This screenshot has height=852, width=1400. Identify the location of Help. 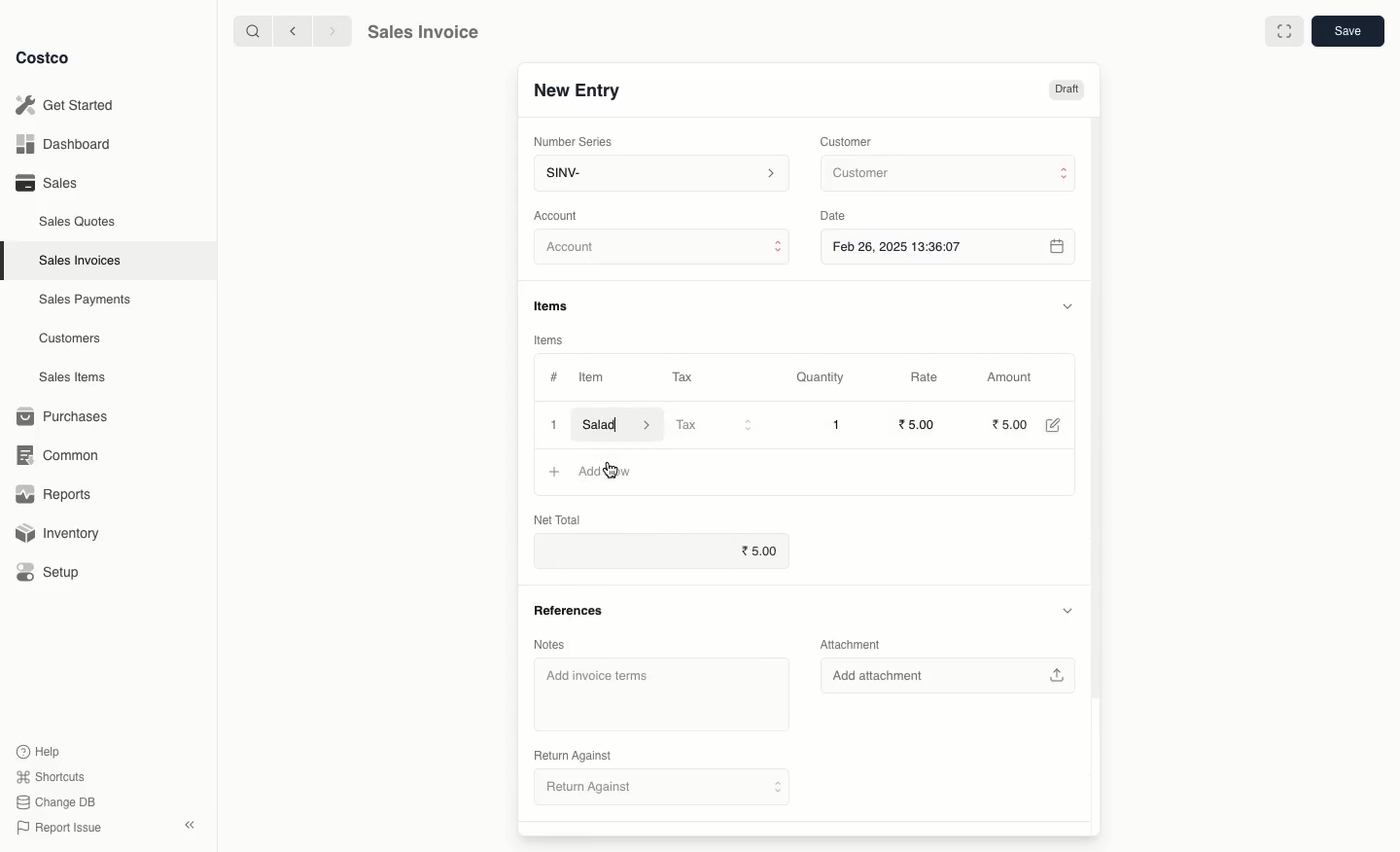
(40, 750).